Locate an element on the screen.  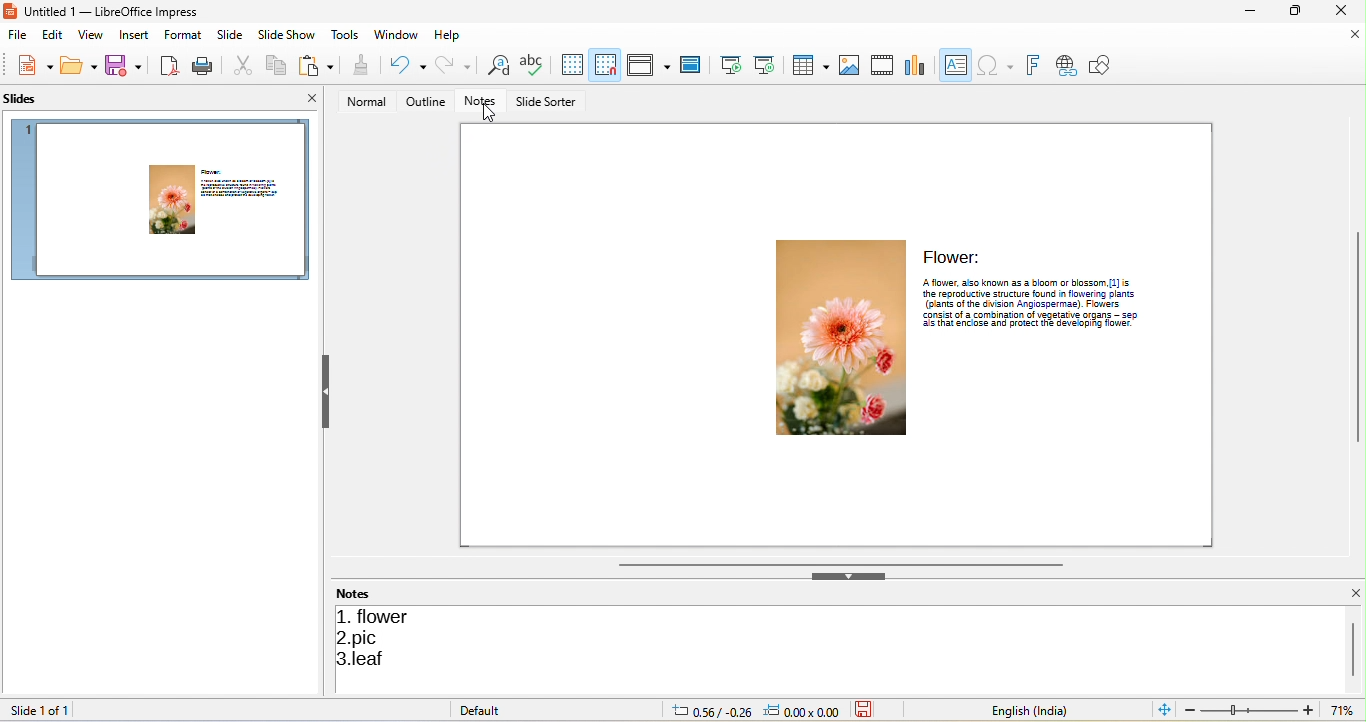
display grids is located at coordinates (567, 65).